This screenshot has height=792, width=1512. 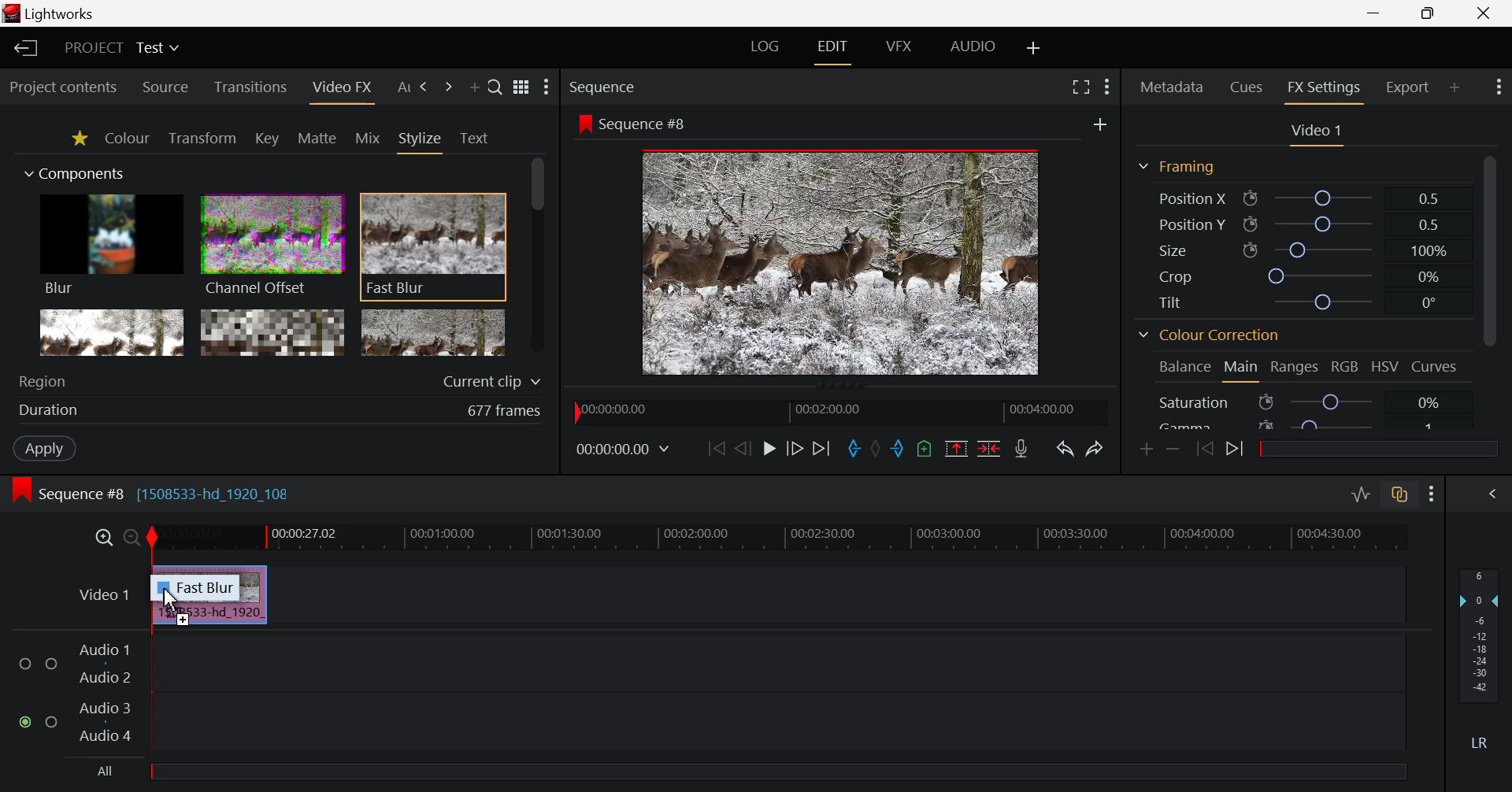 I want to click on Cursor, so click(x=175, y=602).